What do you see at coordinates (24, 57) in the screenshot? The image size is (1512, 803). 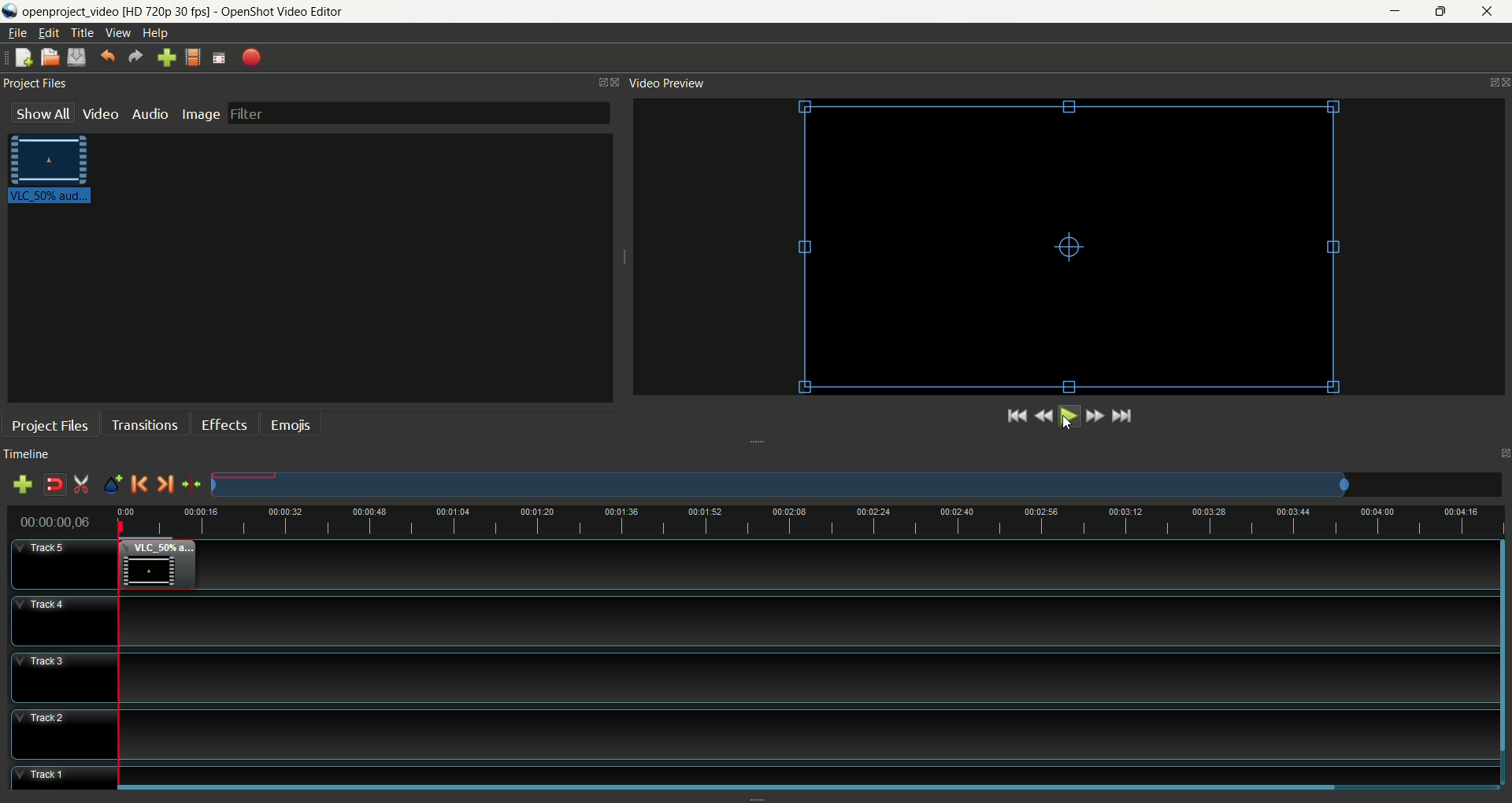 I see `new project` at bounding box center [24, 57].